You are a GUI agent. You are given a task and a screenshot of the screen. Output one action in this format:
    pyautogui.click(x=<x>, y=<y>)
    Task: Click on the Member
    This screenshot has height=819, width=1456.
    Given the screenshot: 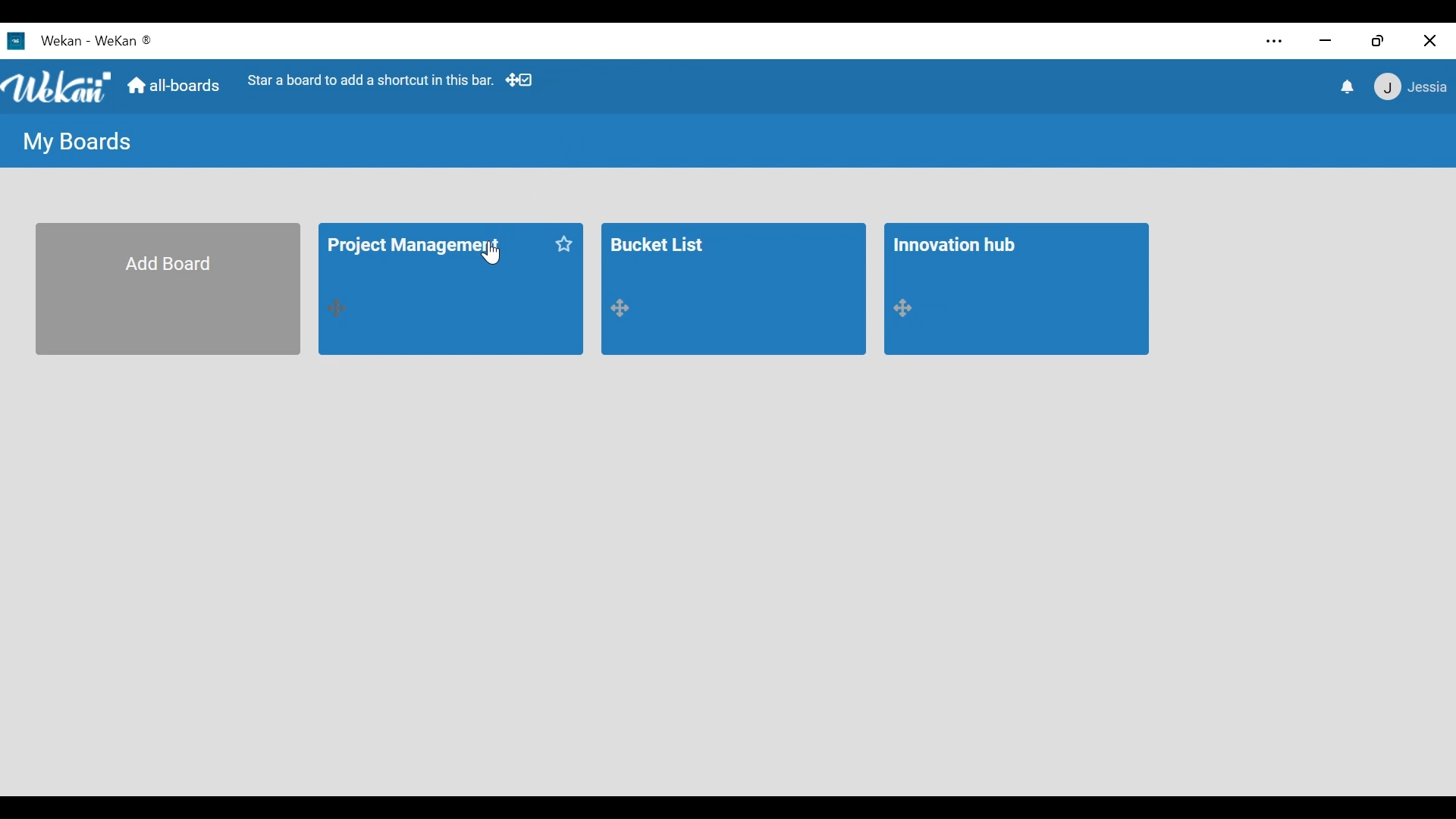 What is the action you would take?
    pyautogui.click(x=1408, y=88)
    